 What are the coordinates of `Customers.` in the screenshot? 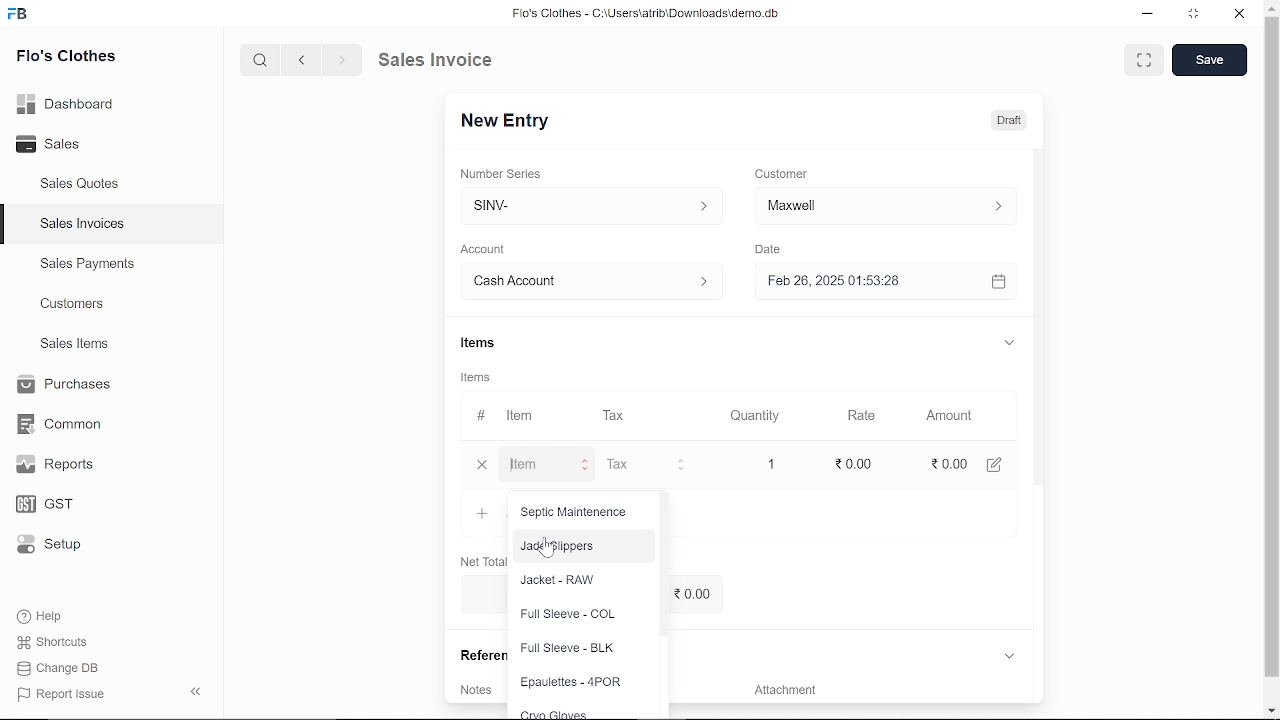 It's located at (73, 304).